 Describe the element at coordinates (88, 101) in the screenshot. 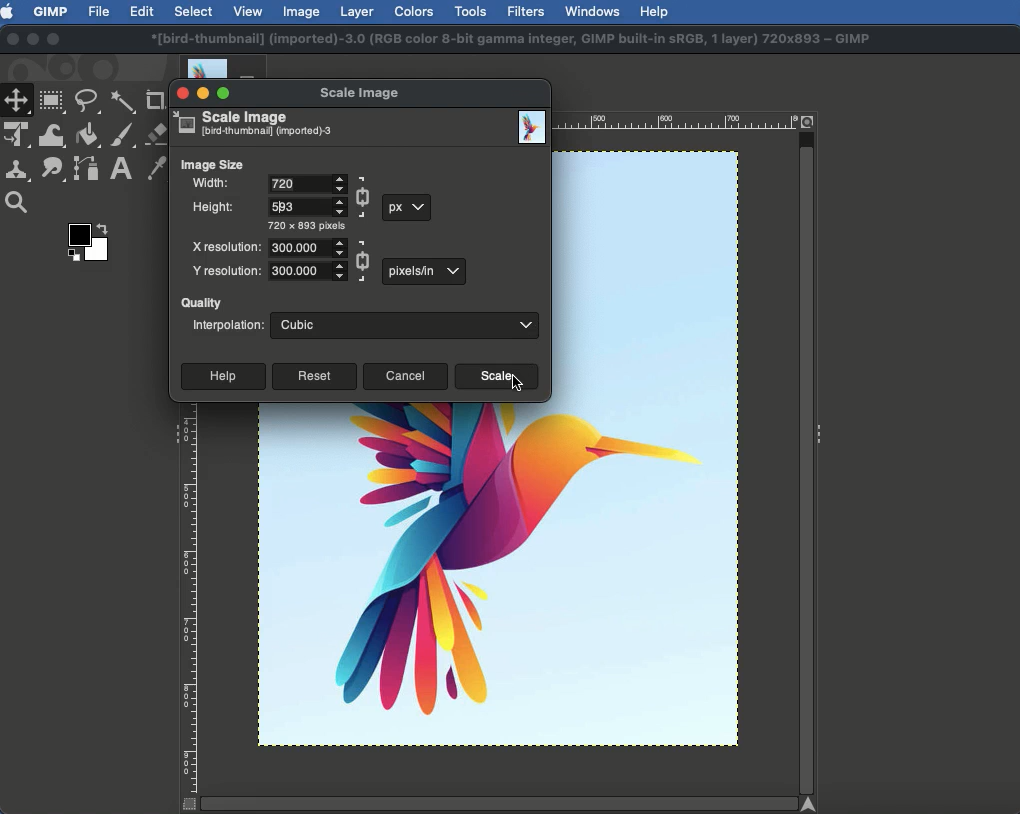

I see `Freeform selector` at that location.